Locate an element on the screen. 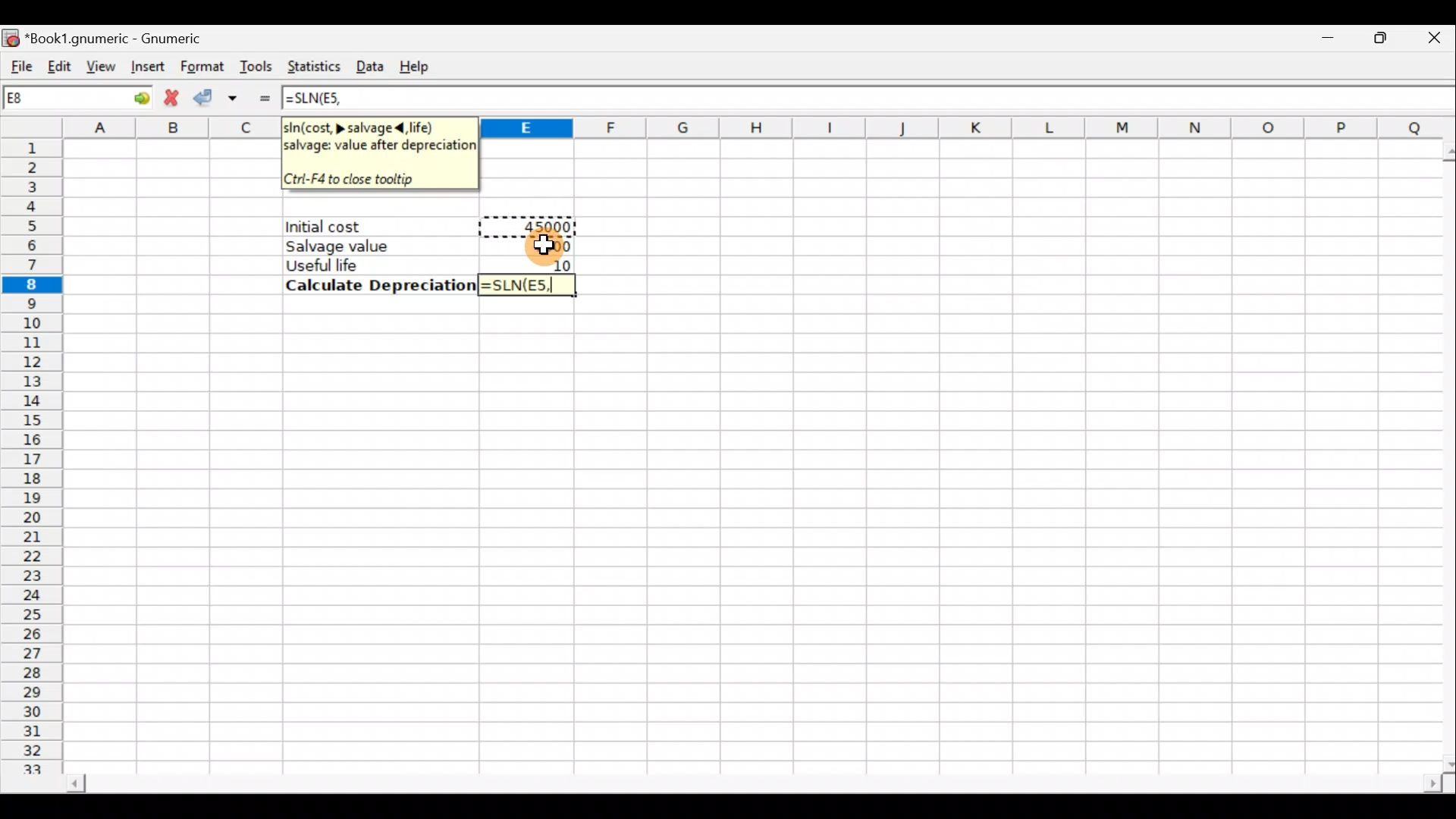  Data is located at coordinates (372, 64).